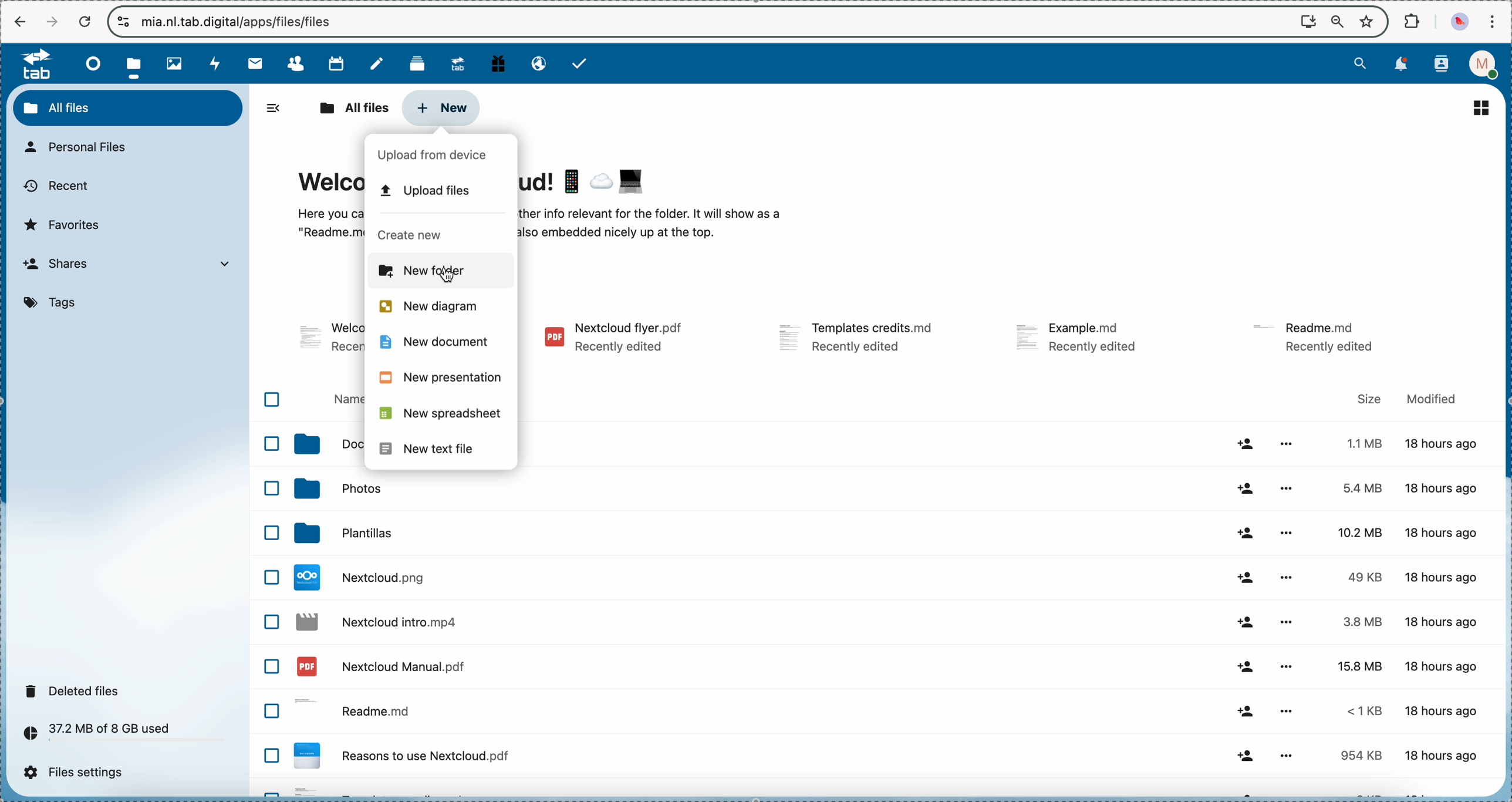  I want to click on documents, so click(328, 447).